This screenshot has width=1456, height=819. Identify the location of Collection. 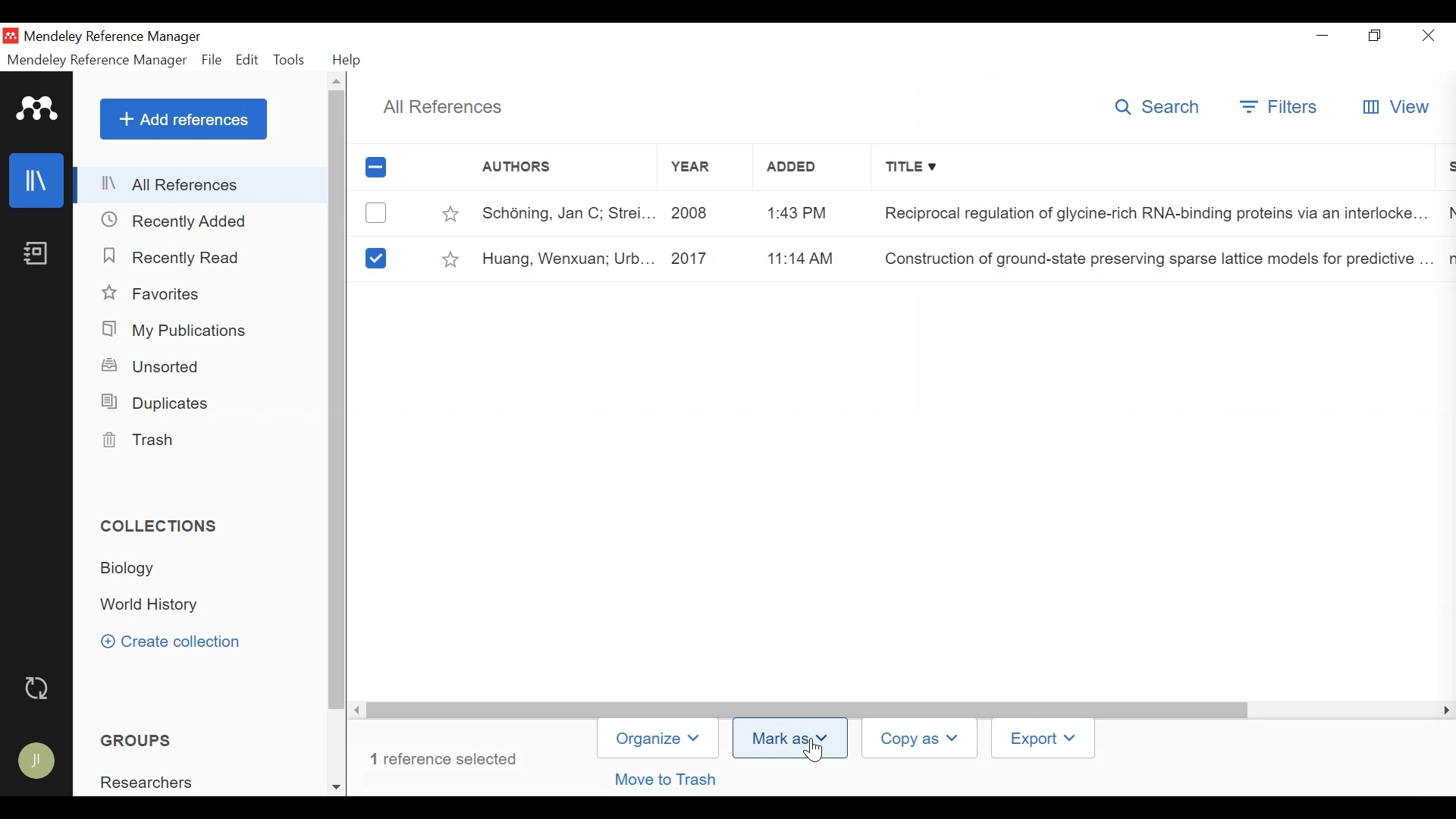
(133, 570).